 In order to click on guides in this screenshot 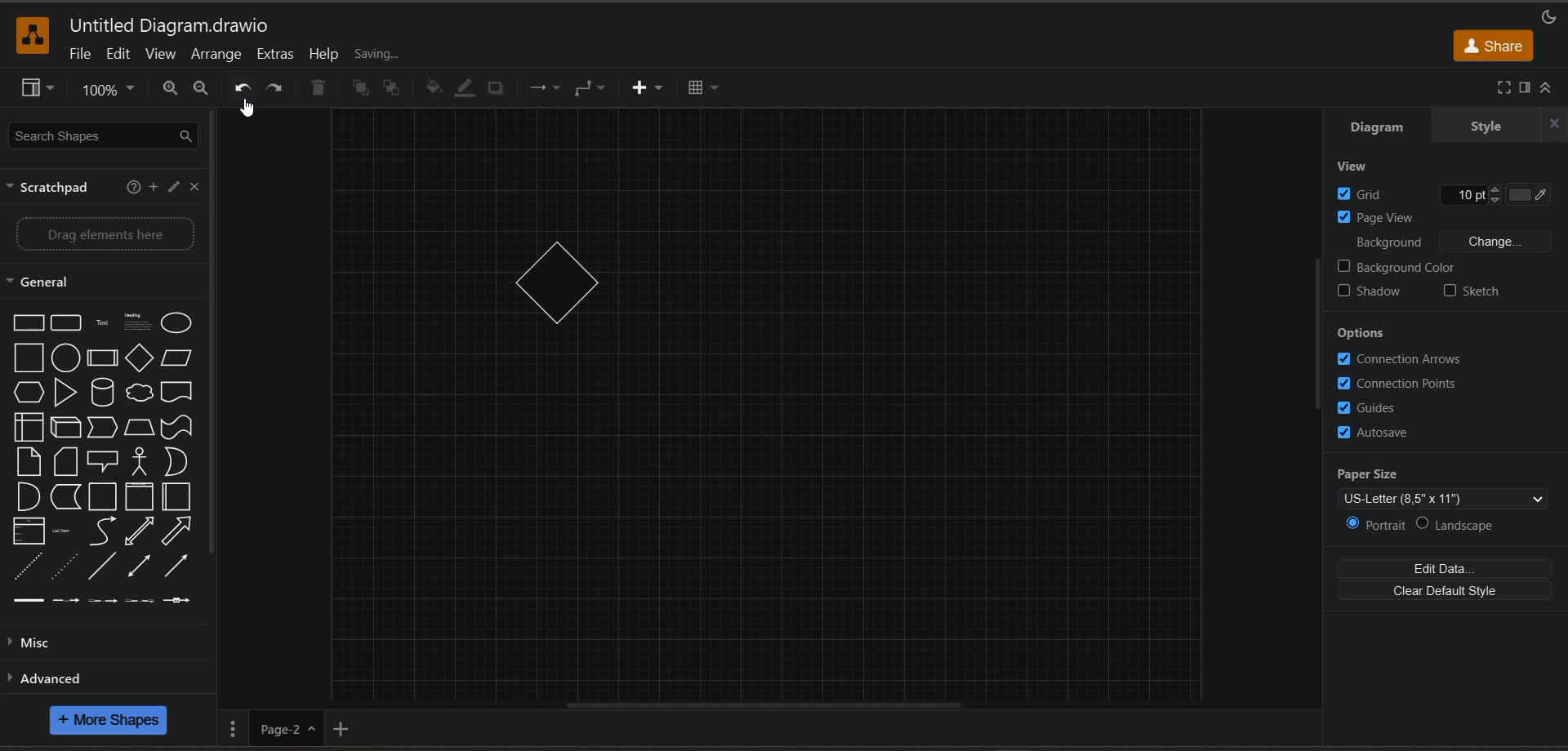, I will do `click(1373, 407)`.